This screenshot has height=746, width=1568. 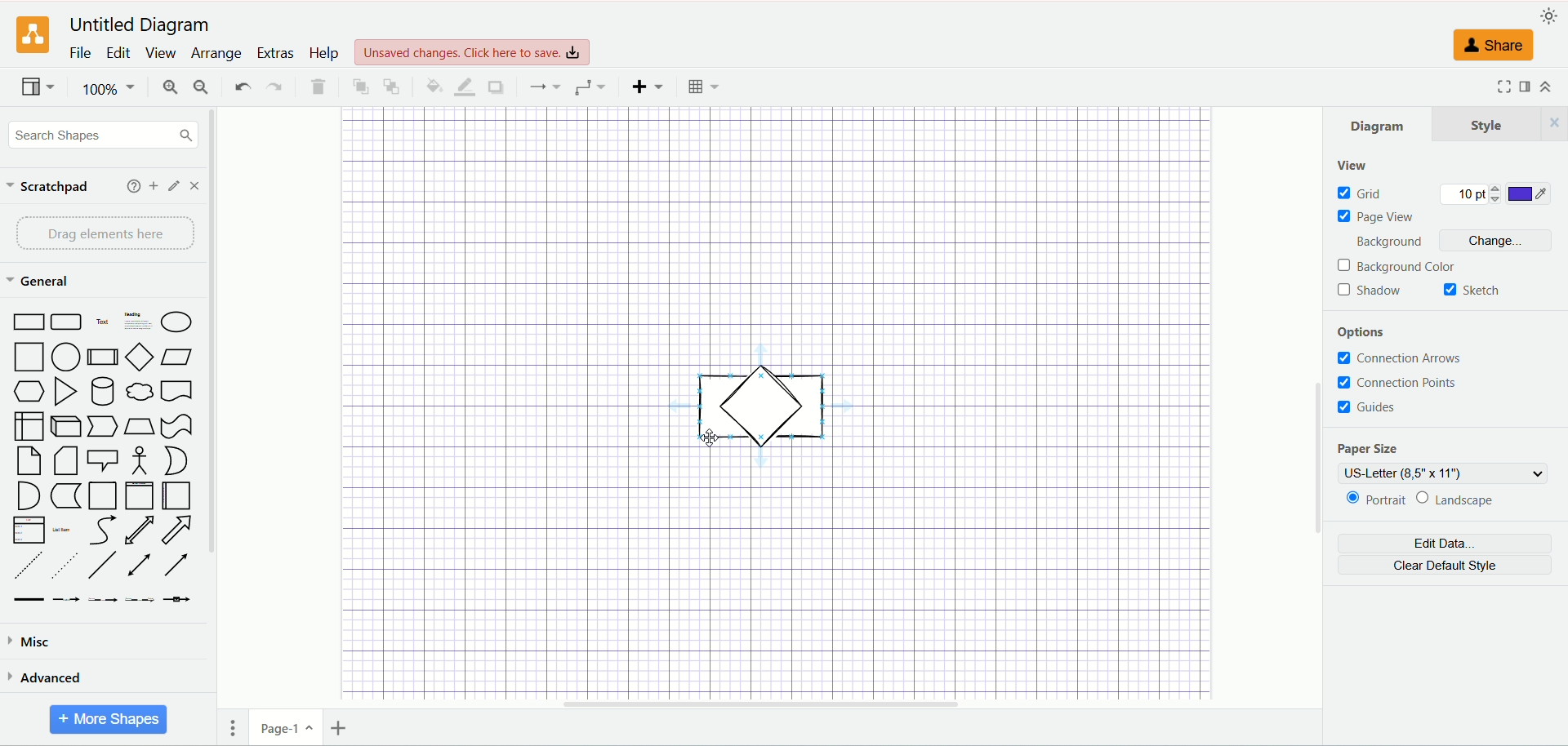 What do you see at coordinates (212, 426) in the screenshot?
I see `vertical scroll bar` at bounding box center [212, 426].